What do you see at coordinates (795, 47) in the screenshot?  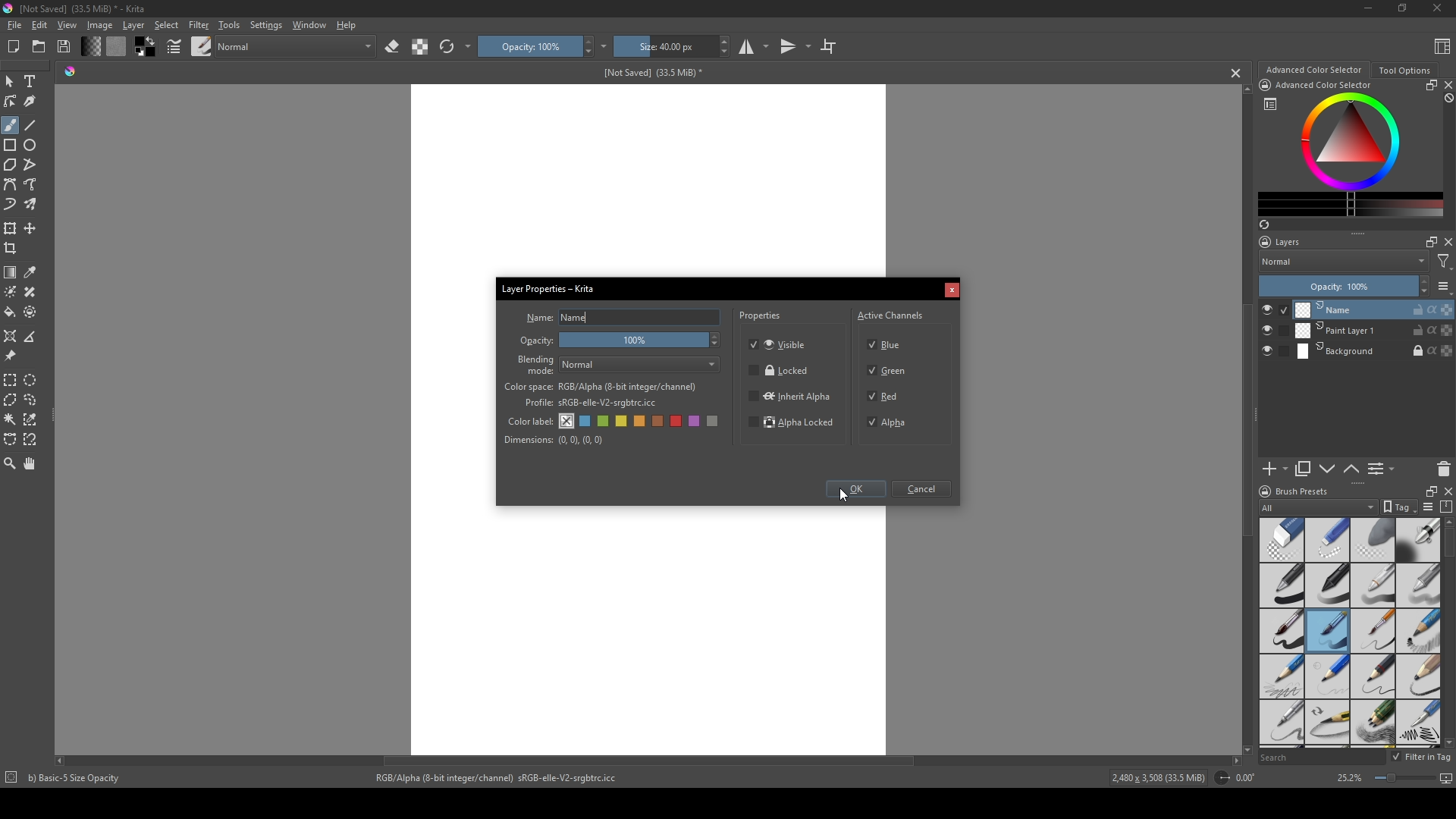 I see `transitions` at bounding box center [795, 47].